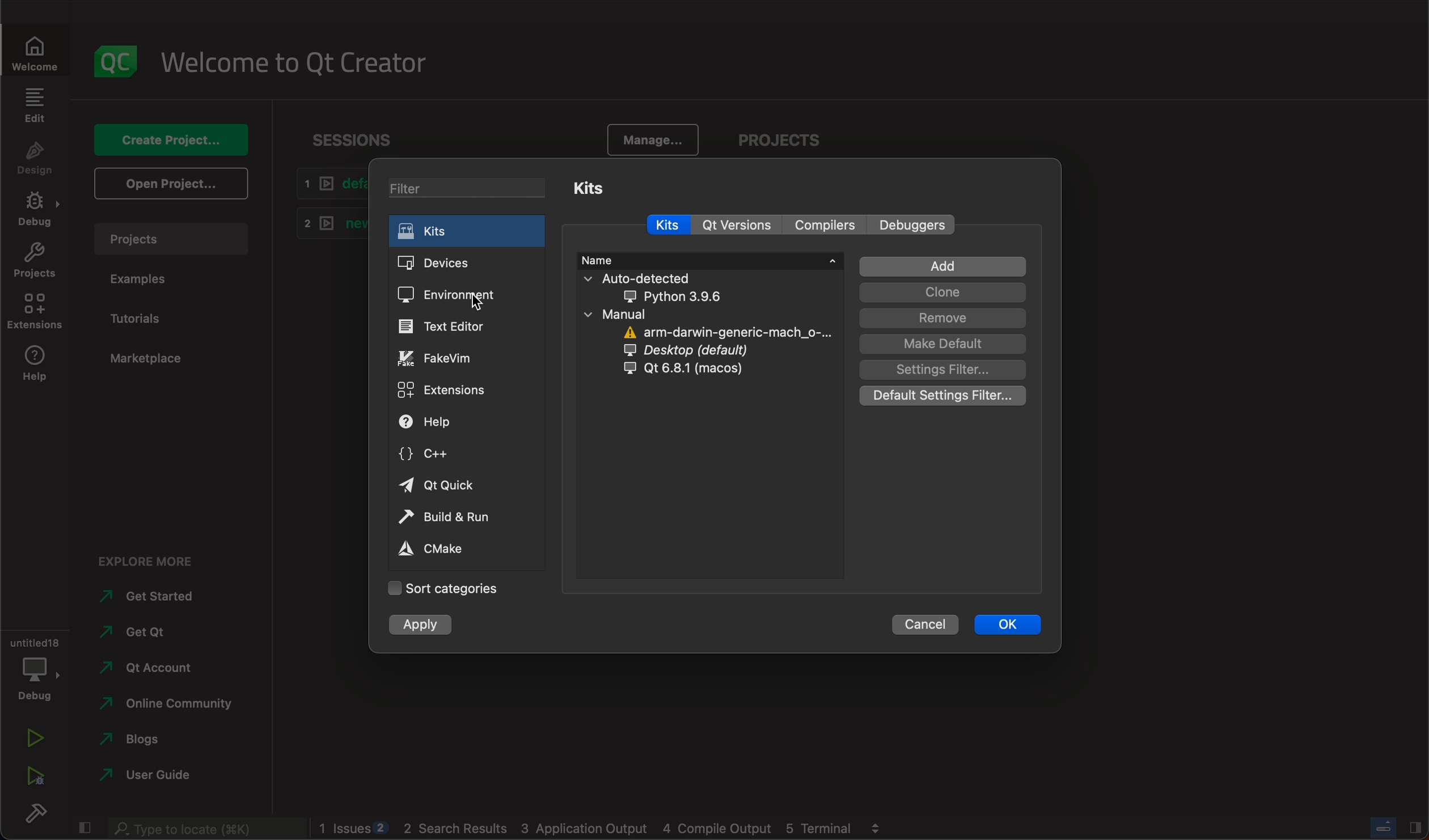 This screenshot has height=840, width=1429. I want to click on cmake, so click(447, 550).